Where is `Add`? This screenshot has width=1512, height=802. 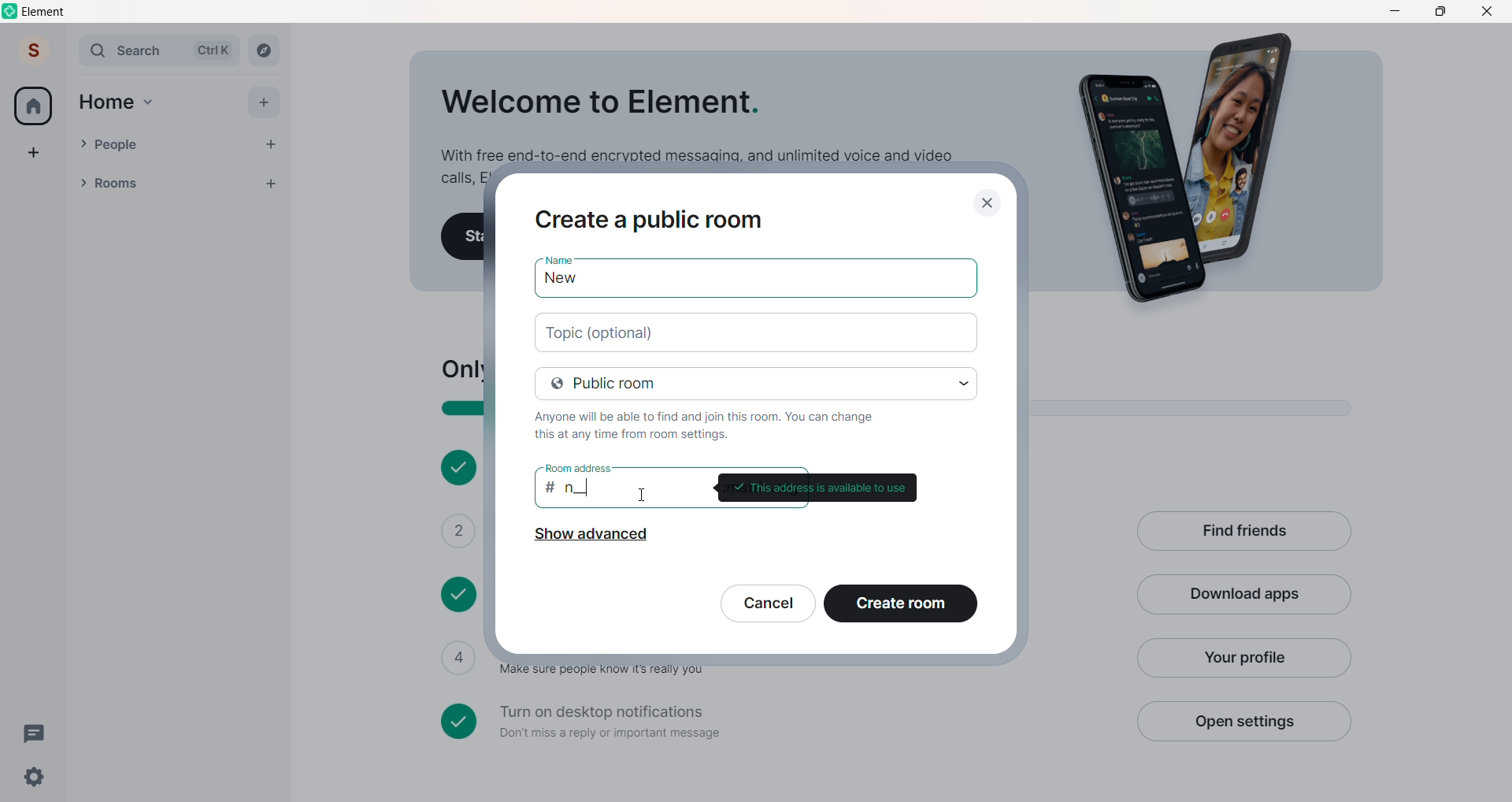 Add is located at coordinates (263, 102).